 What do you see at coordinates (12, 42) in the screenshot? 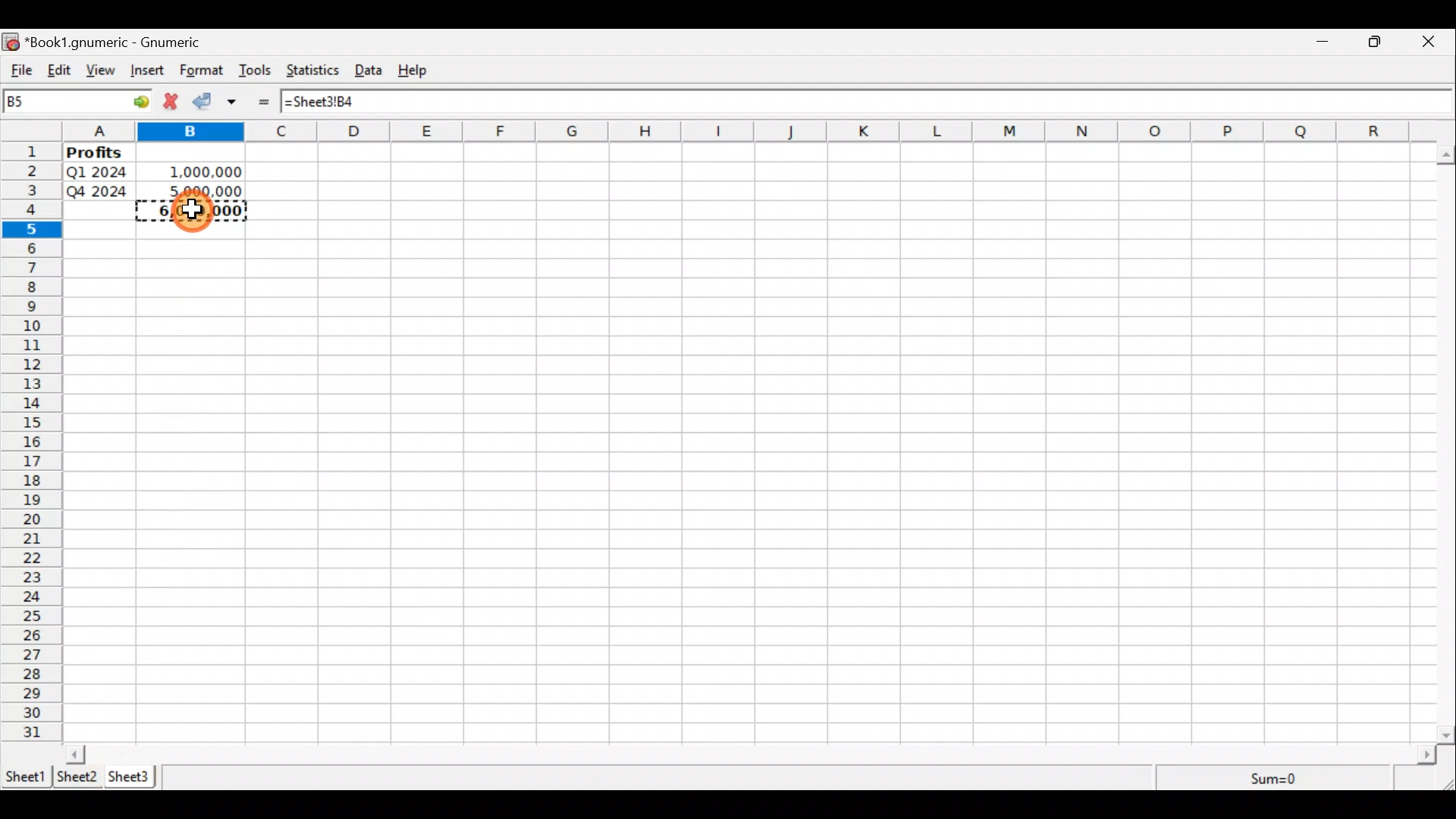
I see `icon` at bounding box center [12, 42].